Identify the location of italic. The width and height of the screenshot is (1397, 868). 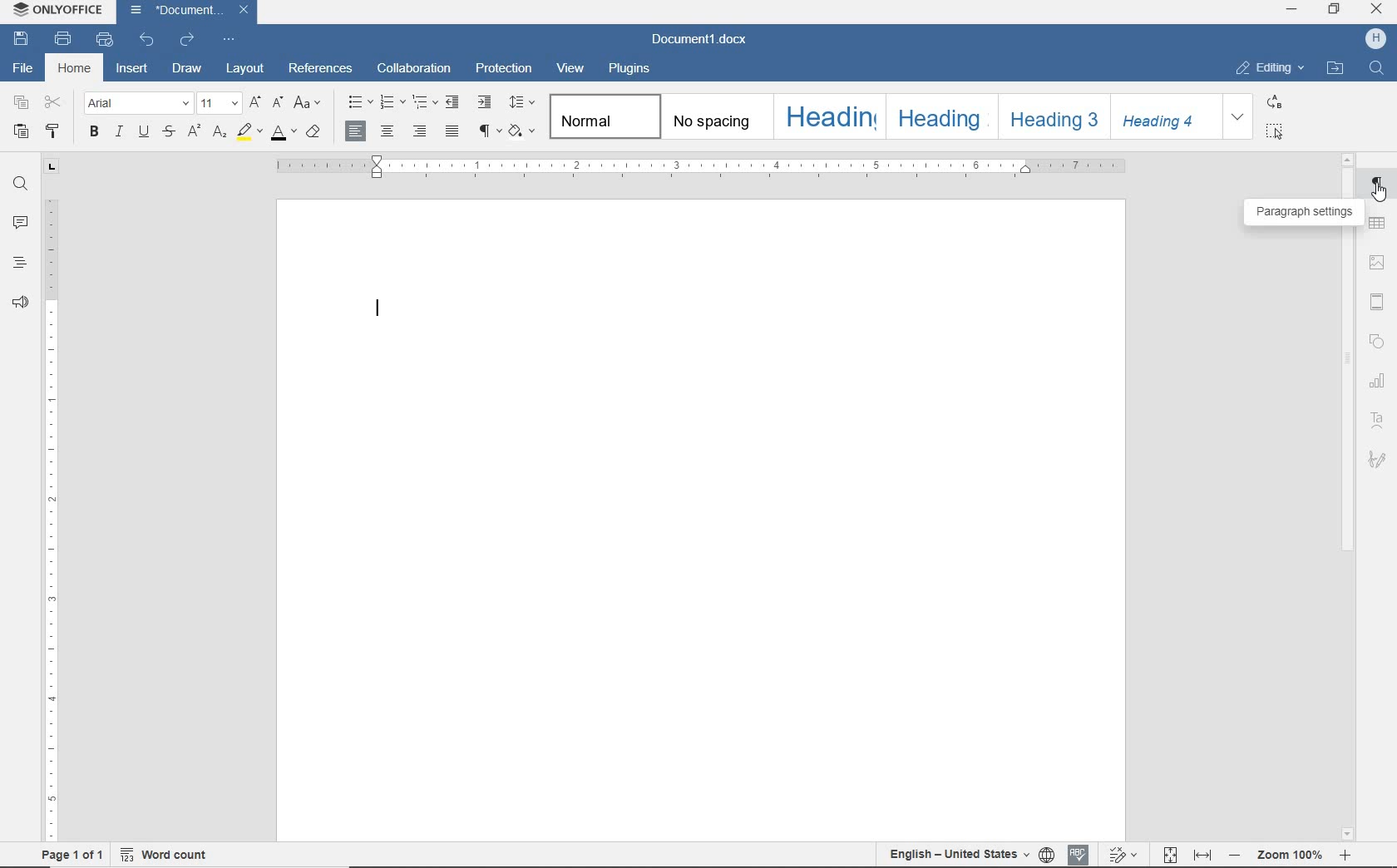
(120, 133).